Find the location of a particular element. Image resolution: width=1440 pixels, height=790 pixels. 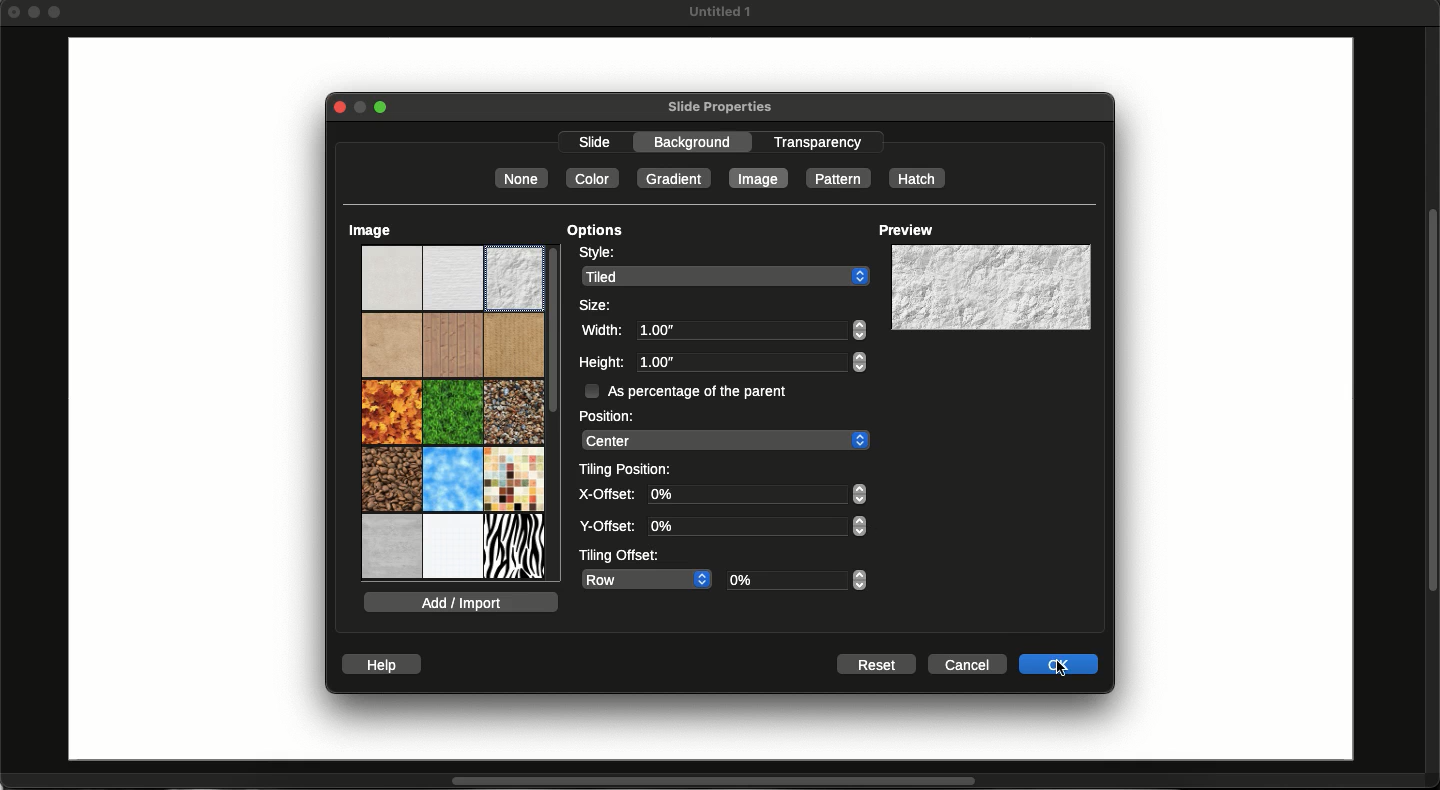

Maximize is located at coordinates (57, 14).